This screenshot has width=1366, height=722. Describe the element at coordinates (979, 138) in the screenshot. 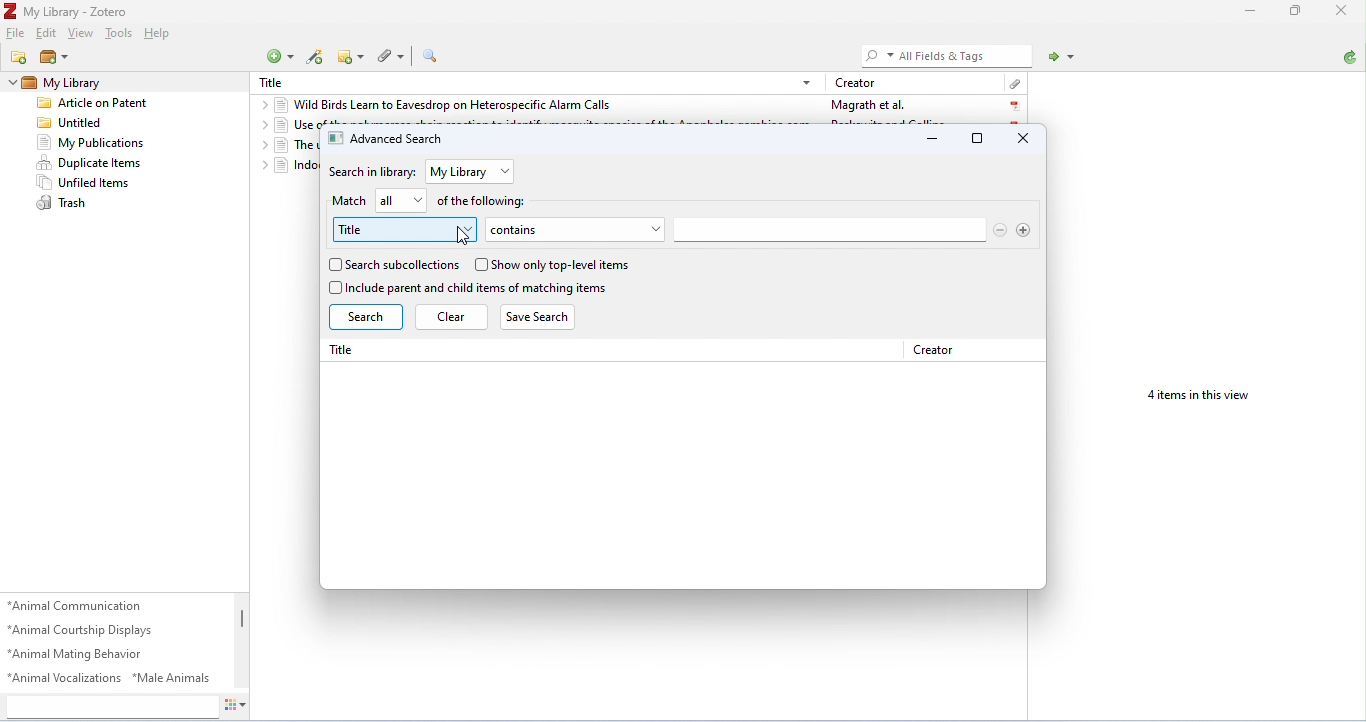

I see `maximize` at that location.